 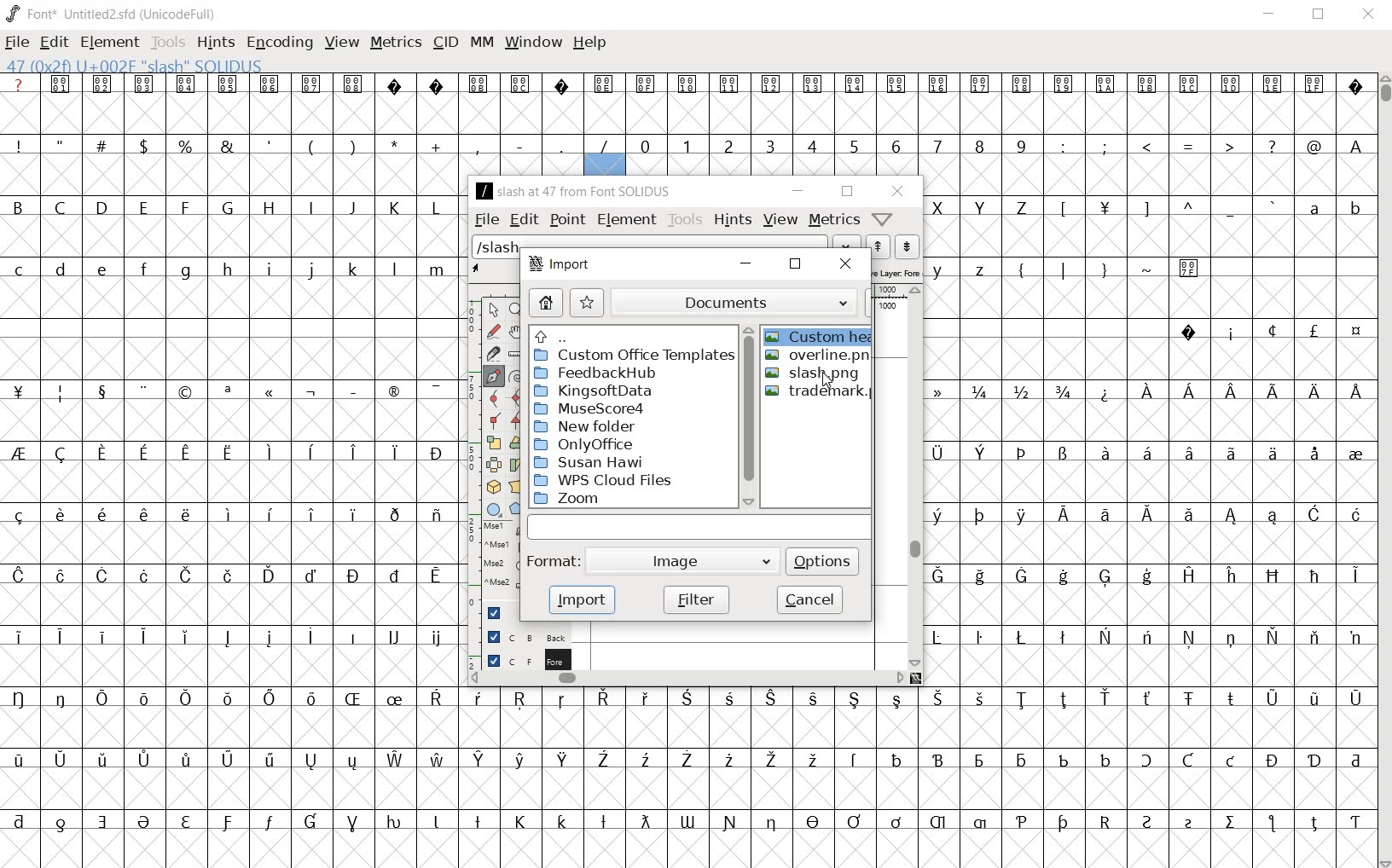 I want to click on empty cells, so click(x=234, y=357).